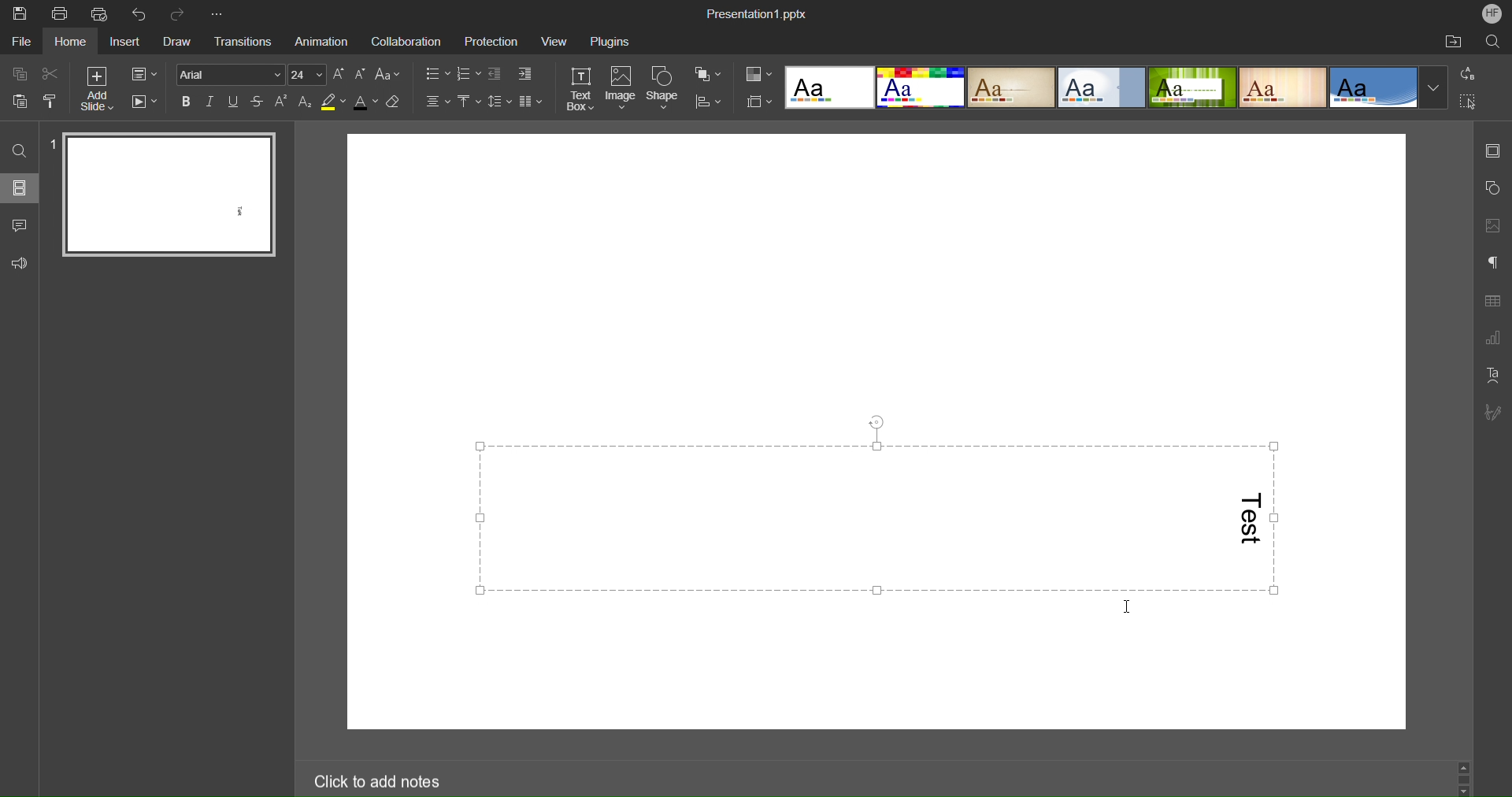 This screenshot has height=797, width=1512. Describe the element at coordinates (708, 102) in the screenshot. I see `Align` at that location.